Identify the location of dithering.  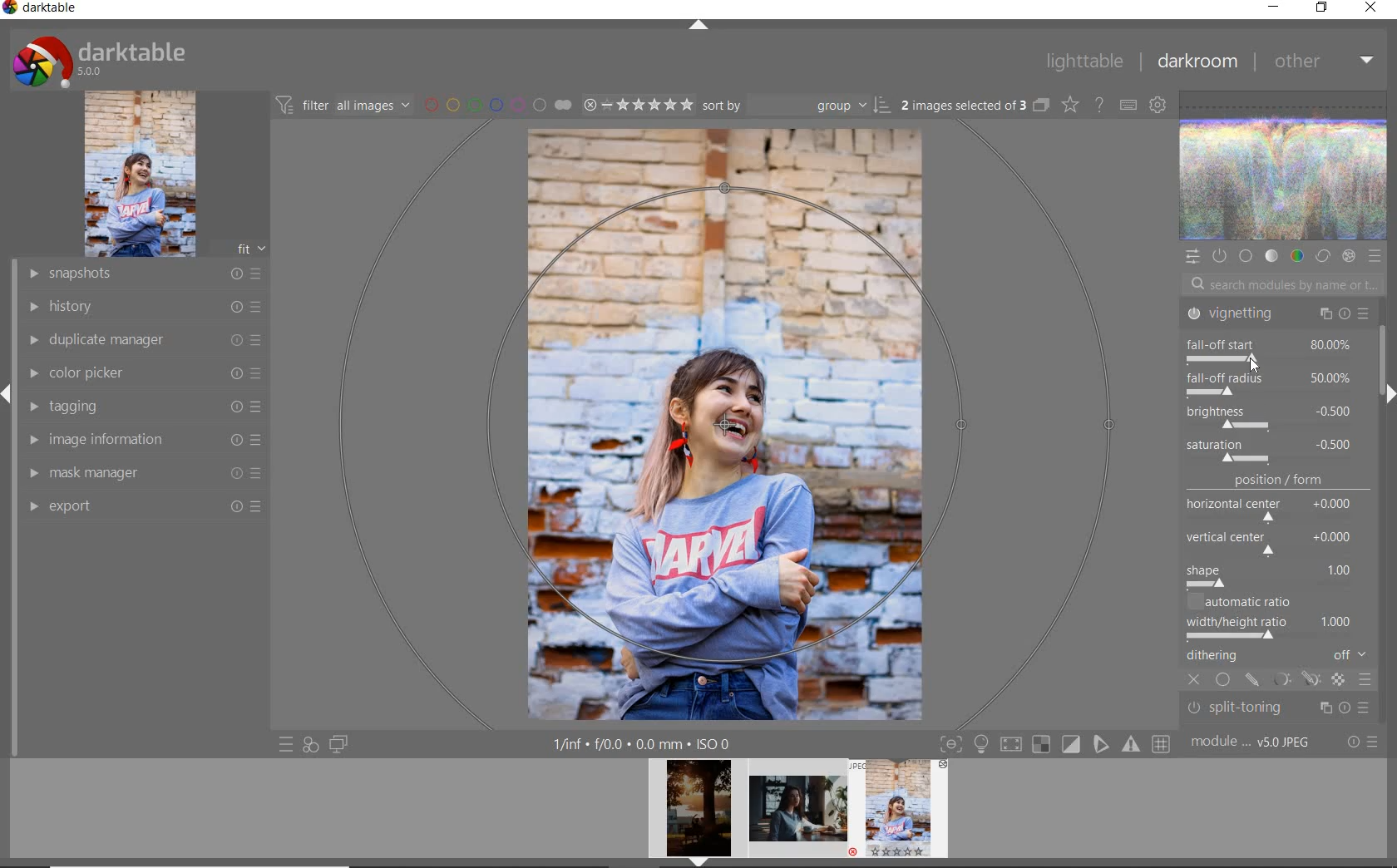
(1279, 657).